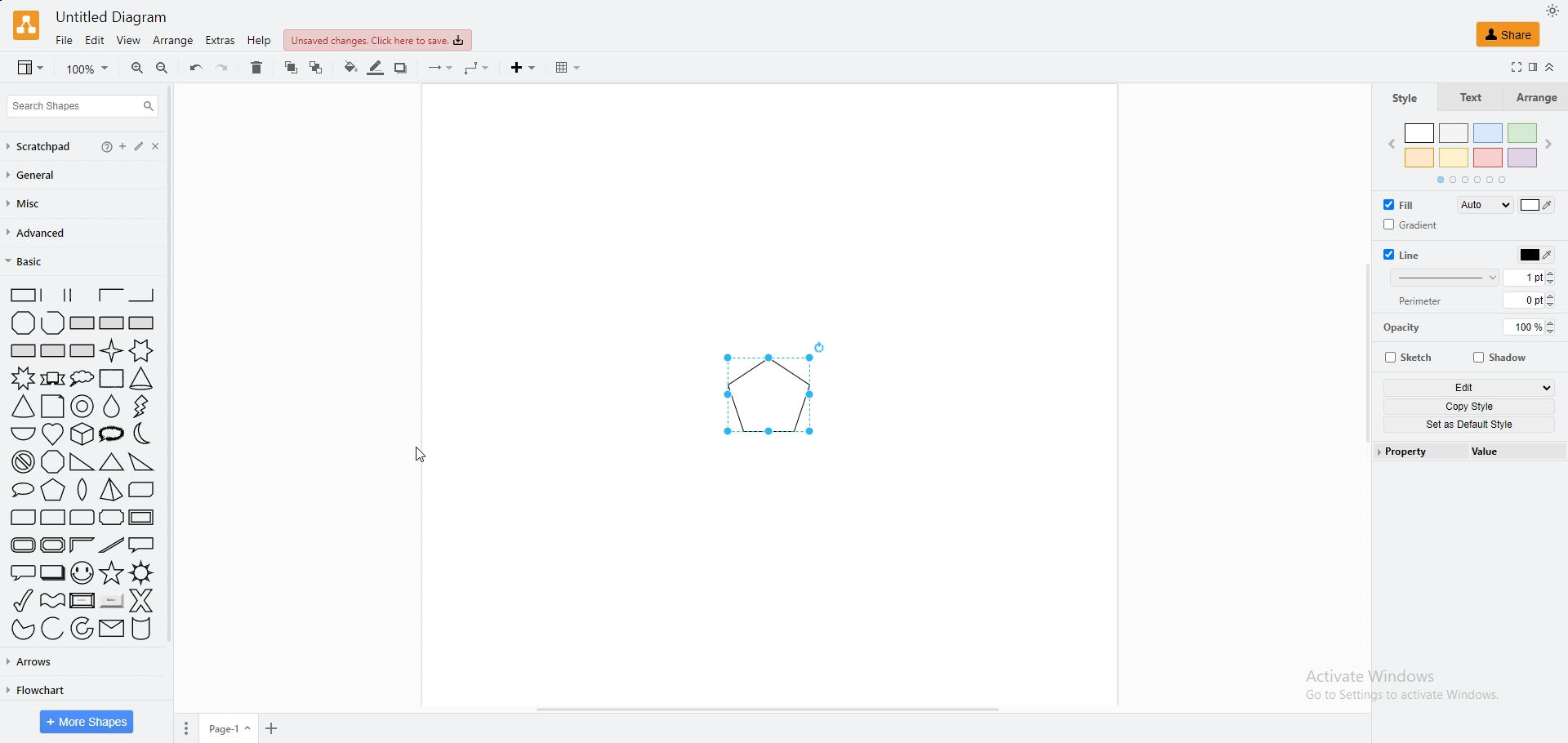  What do you see at coordinates (96, 41) in the screenshot?
I see `edit` at bounding box center [96, 41].